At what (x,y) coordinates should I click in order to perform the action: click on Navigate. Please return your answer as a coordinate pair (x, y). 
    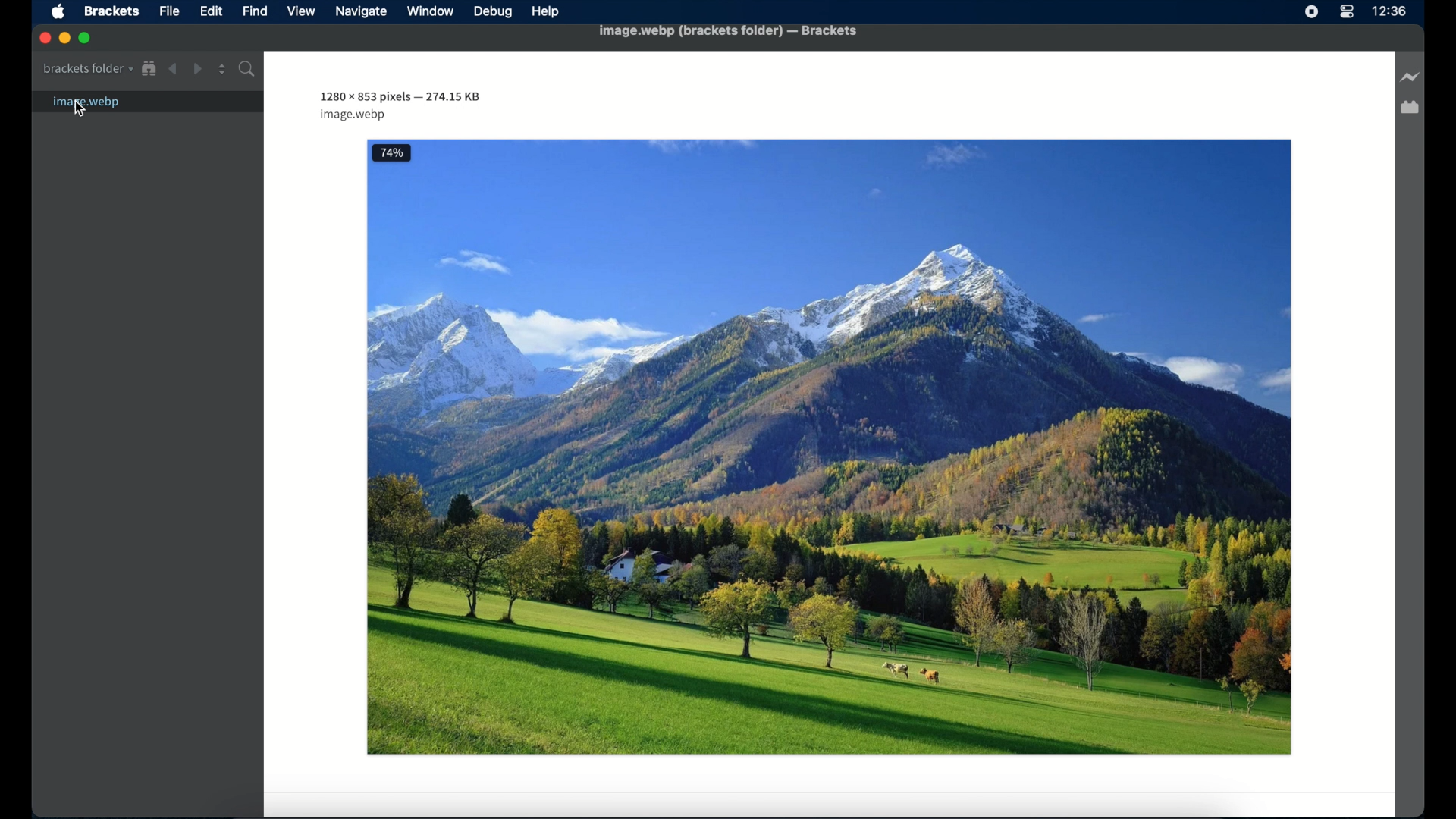
    Looking at the image, I should click on (364, 14).